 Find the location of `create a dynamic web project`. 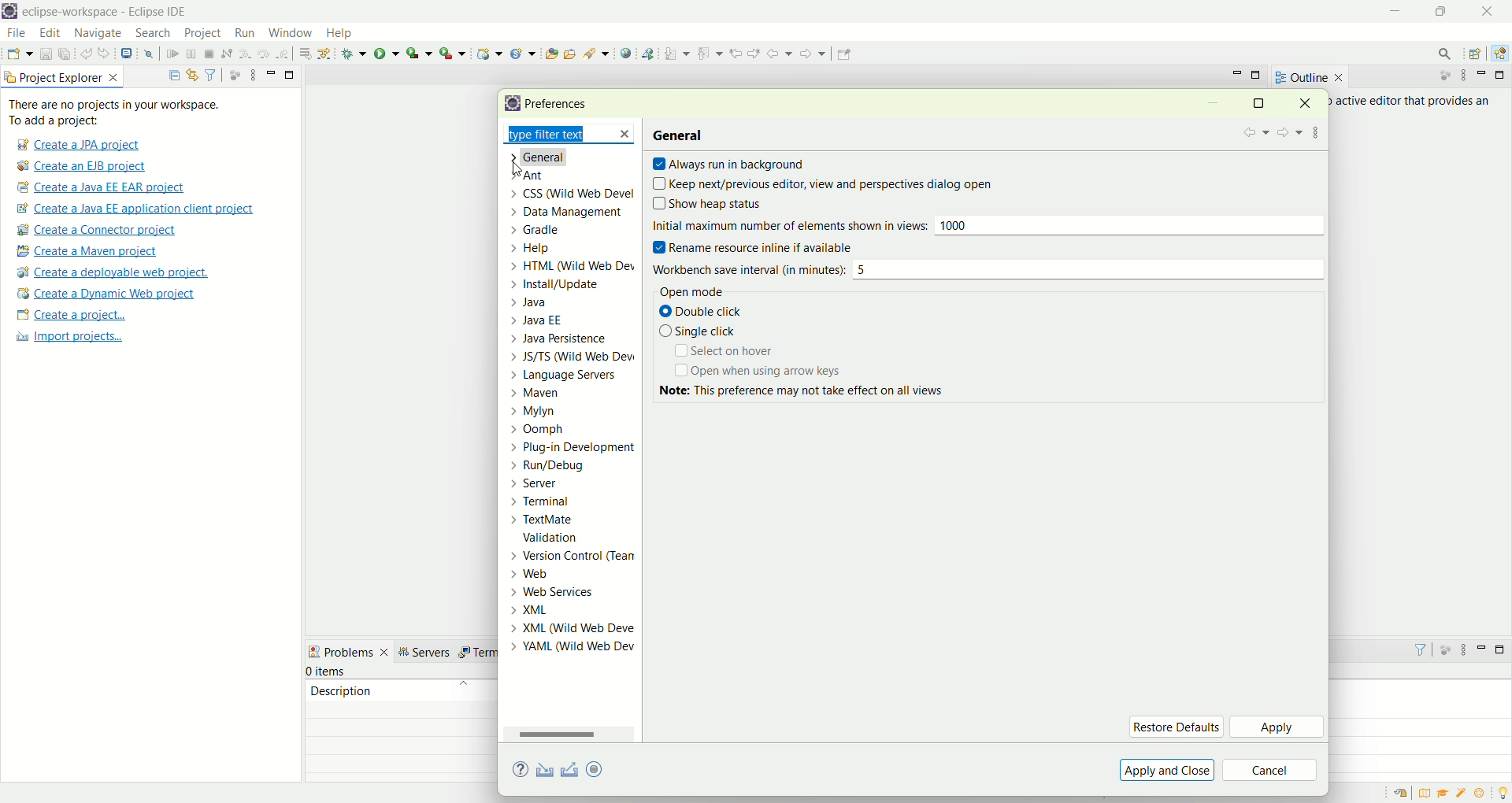

create a dynamic web project is located at coordinates (487, 52).